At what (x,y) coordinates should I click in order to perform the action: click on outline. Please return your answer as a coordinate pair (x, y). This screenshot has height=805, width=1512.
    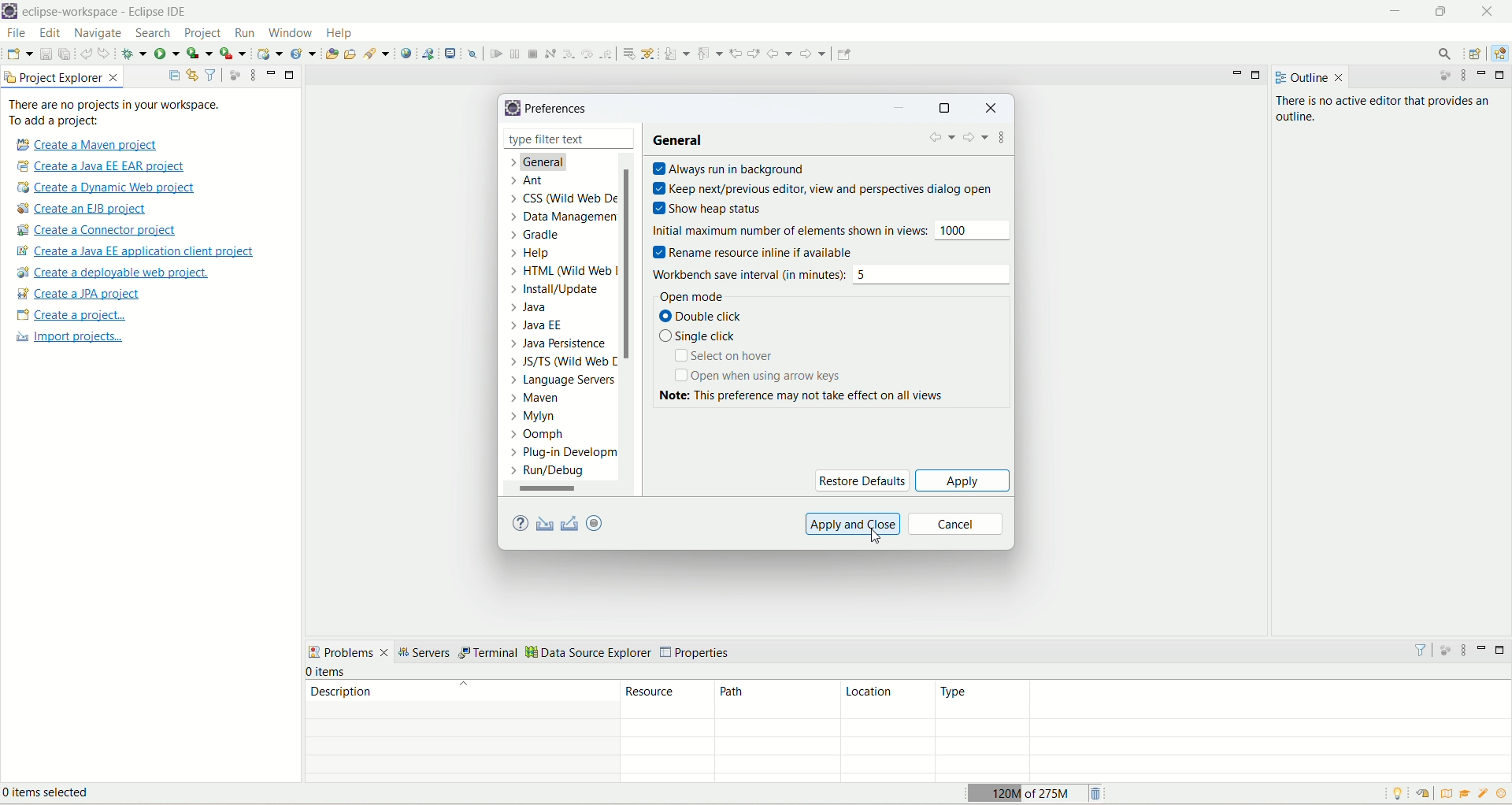
    Looking at the image, I should click on (1299, 78).